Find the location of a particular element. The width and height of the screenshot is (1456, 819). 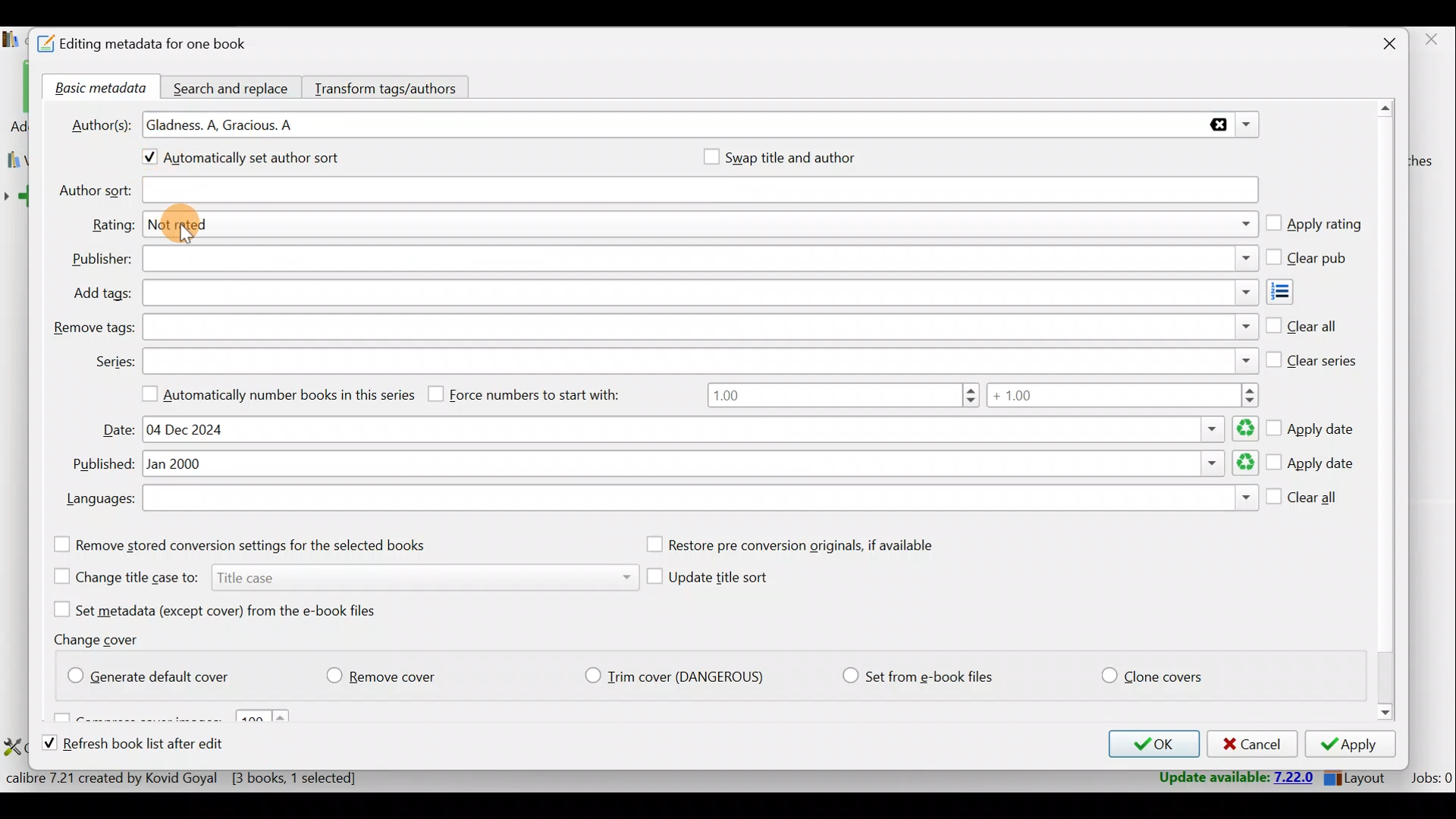

Search and replace is located at coordinates (233, 86).